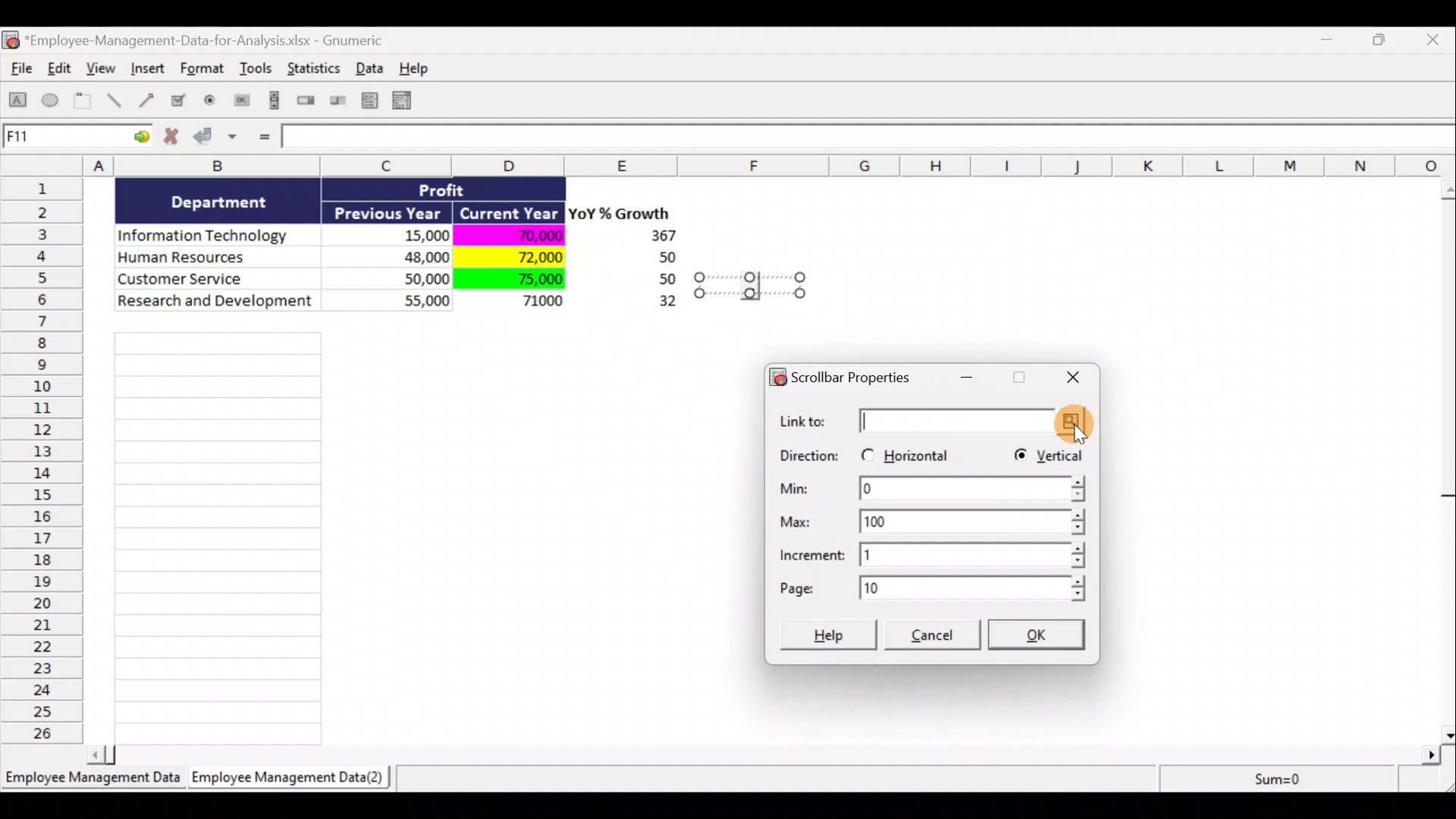 The image size is (1456, 819). Describe the element at coordinates (830, 633) in the screenshot. I see `Help` at that location.